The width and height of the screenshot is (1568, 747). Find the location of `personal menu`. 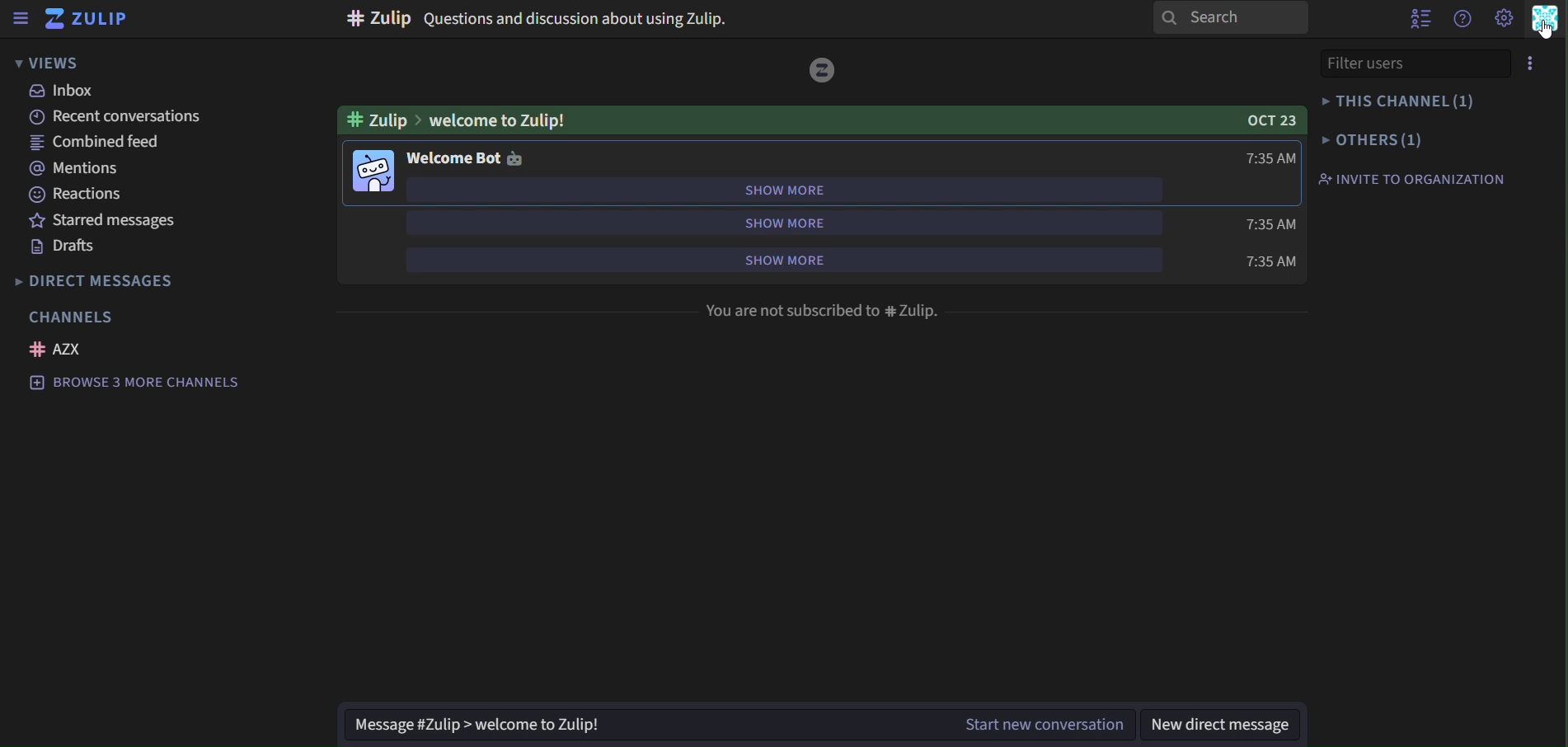

personal menu is located at coordinates (1543, 21).